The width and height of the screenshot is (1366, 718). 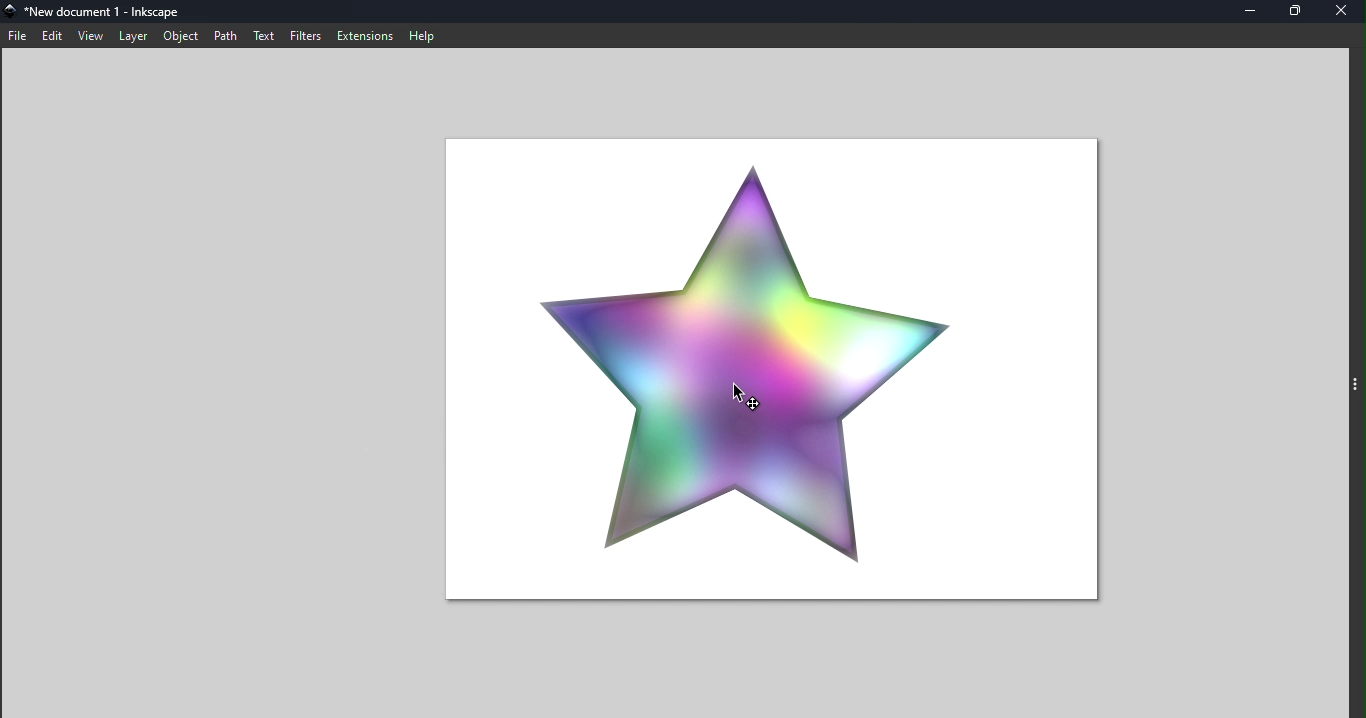 What do you see at coordinates (423, 34) in the screenshot?
I see `Help` at bounding box center [423, 34].